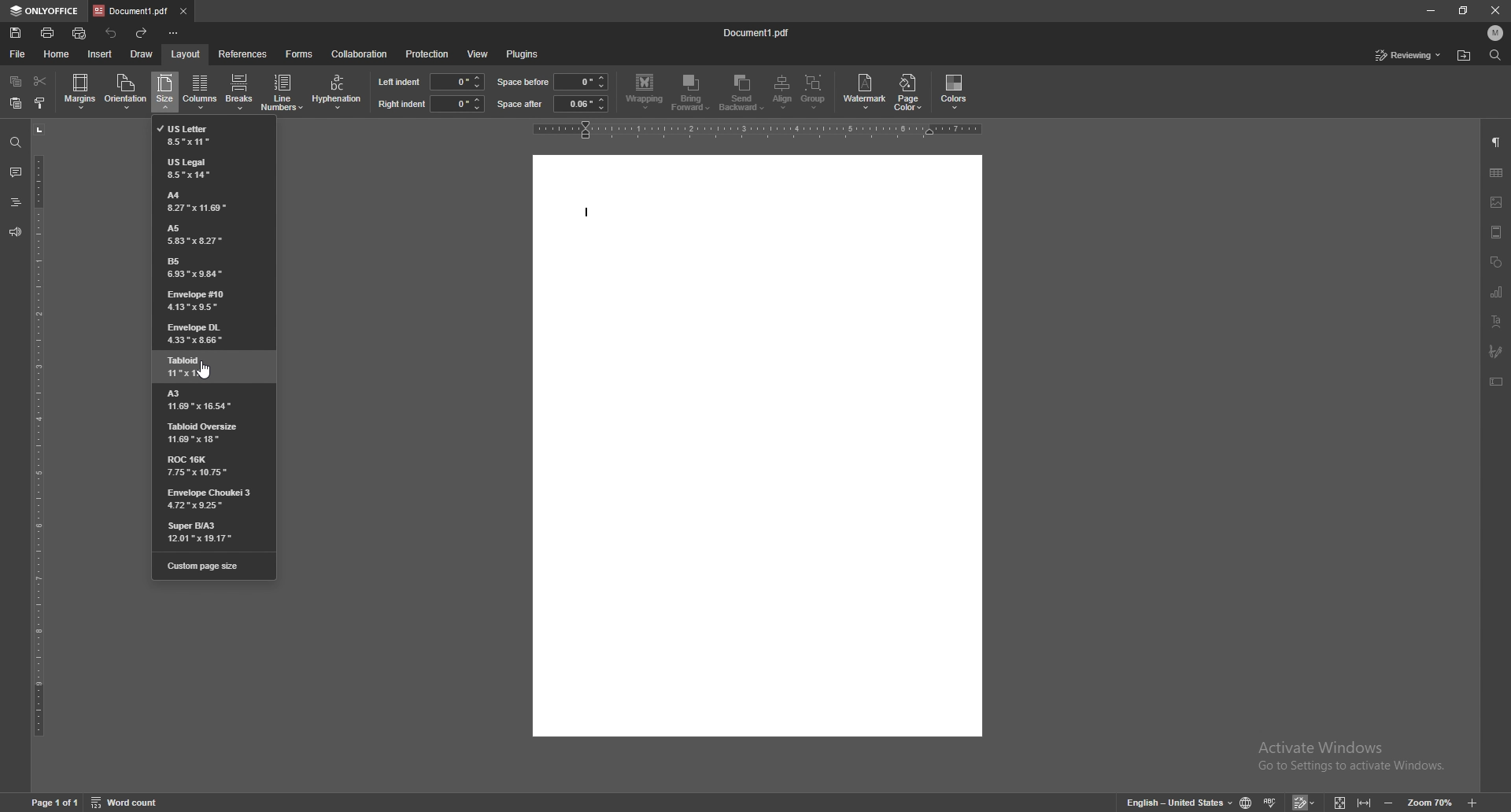 This screenshot has width=1511, height=812. Describe the element at coordinates (1498, 292) in the screenshot. I see `chart` at that location.